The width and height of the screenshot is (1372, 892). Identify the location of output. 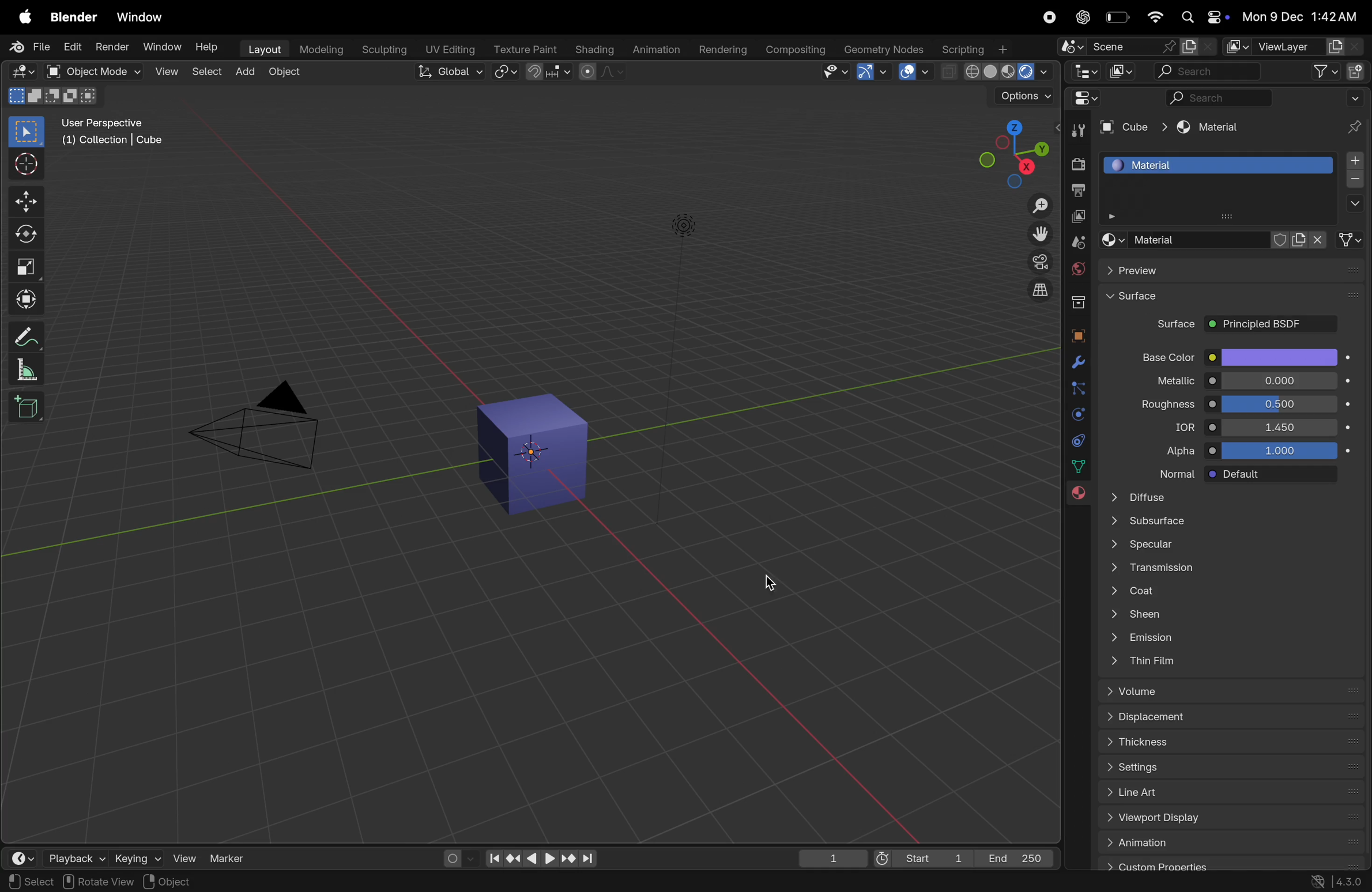
(1076, 192).